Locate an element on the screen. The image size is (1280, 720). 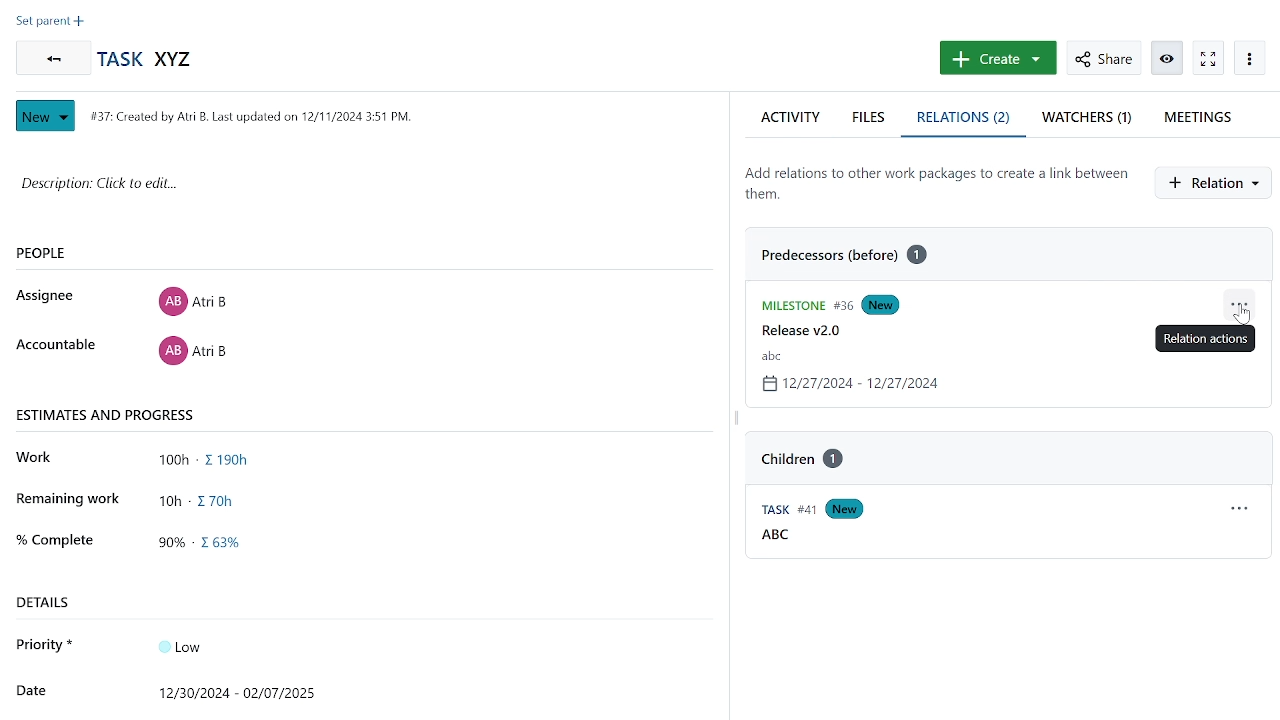
New is located at coordinates (48, 116).